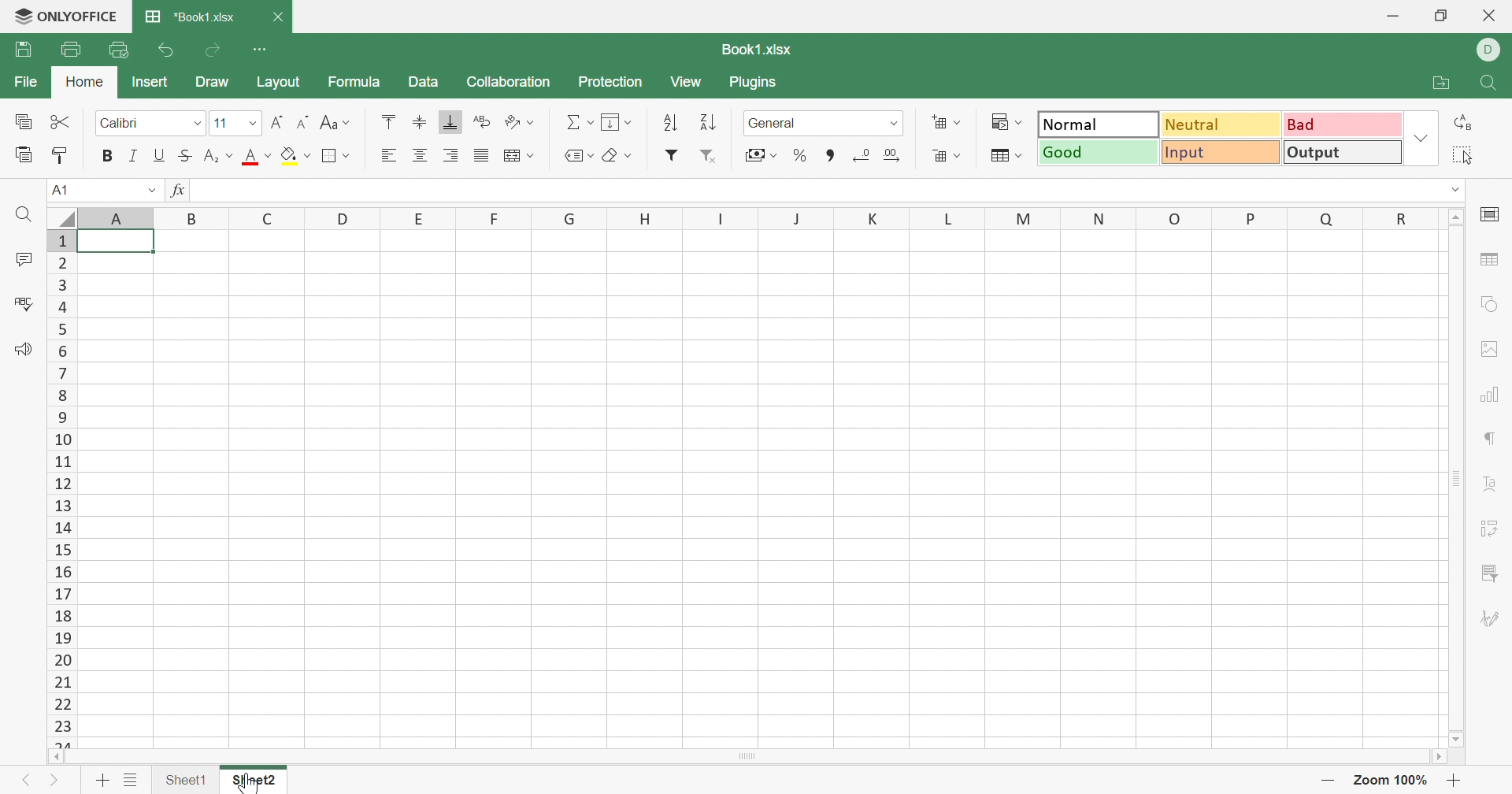  Describe the element at coordinates (1456, 219) in the screenshot. I see `Scroll Up` at that location.